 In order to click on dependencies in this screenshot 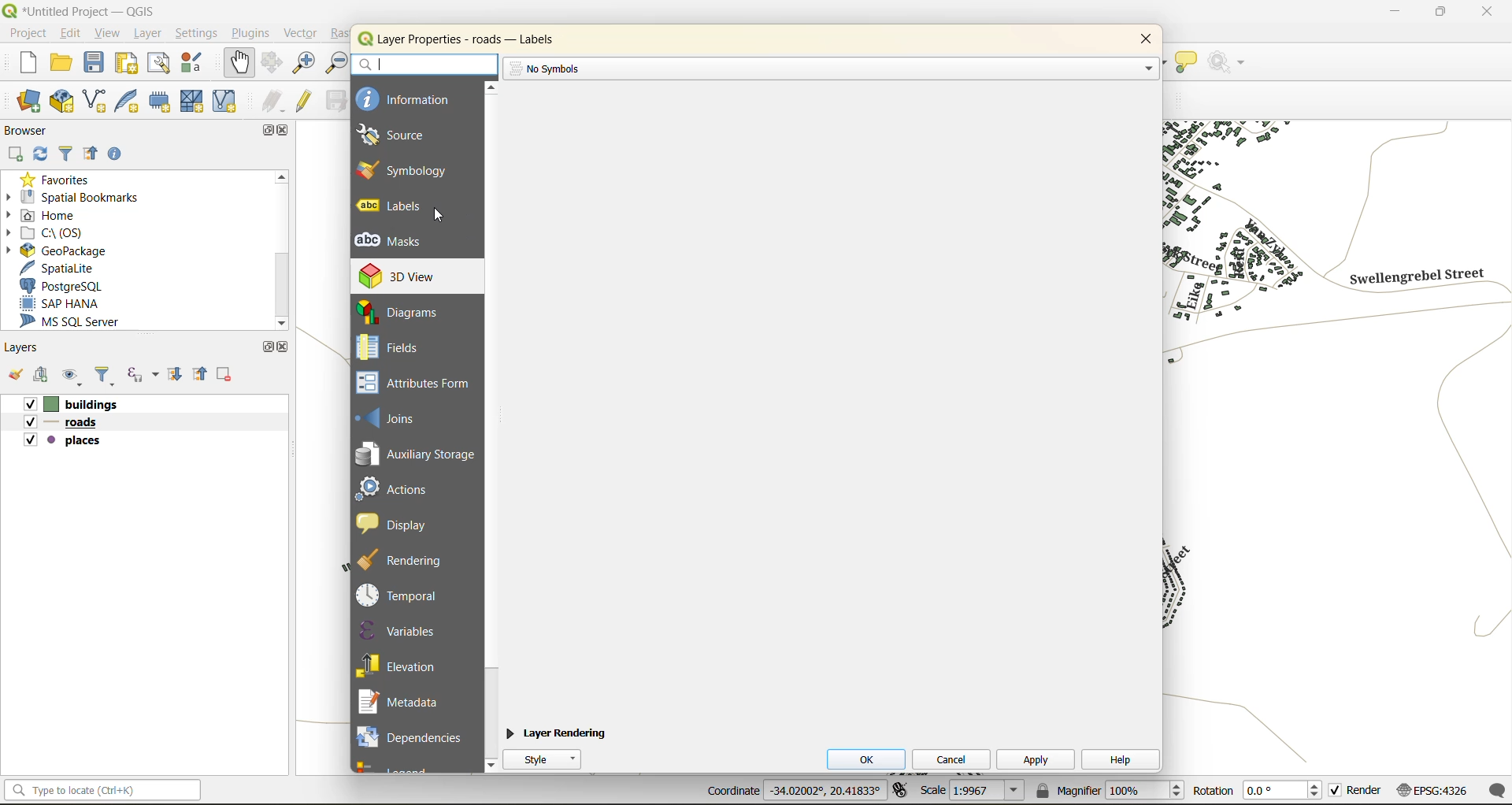, I will do `click(410, 735)`.